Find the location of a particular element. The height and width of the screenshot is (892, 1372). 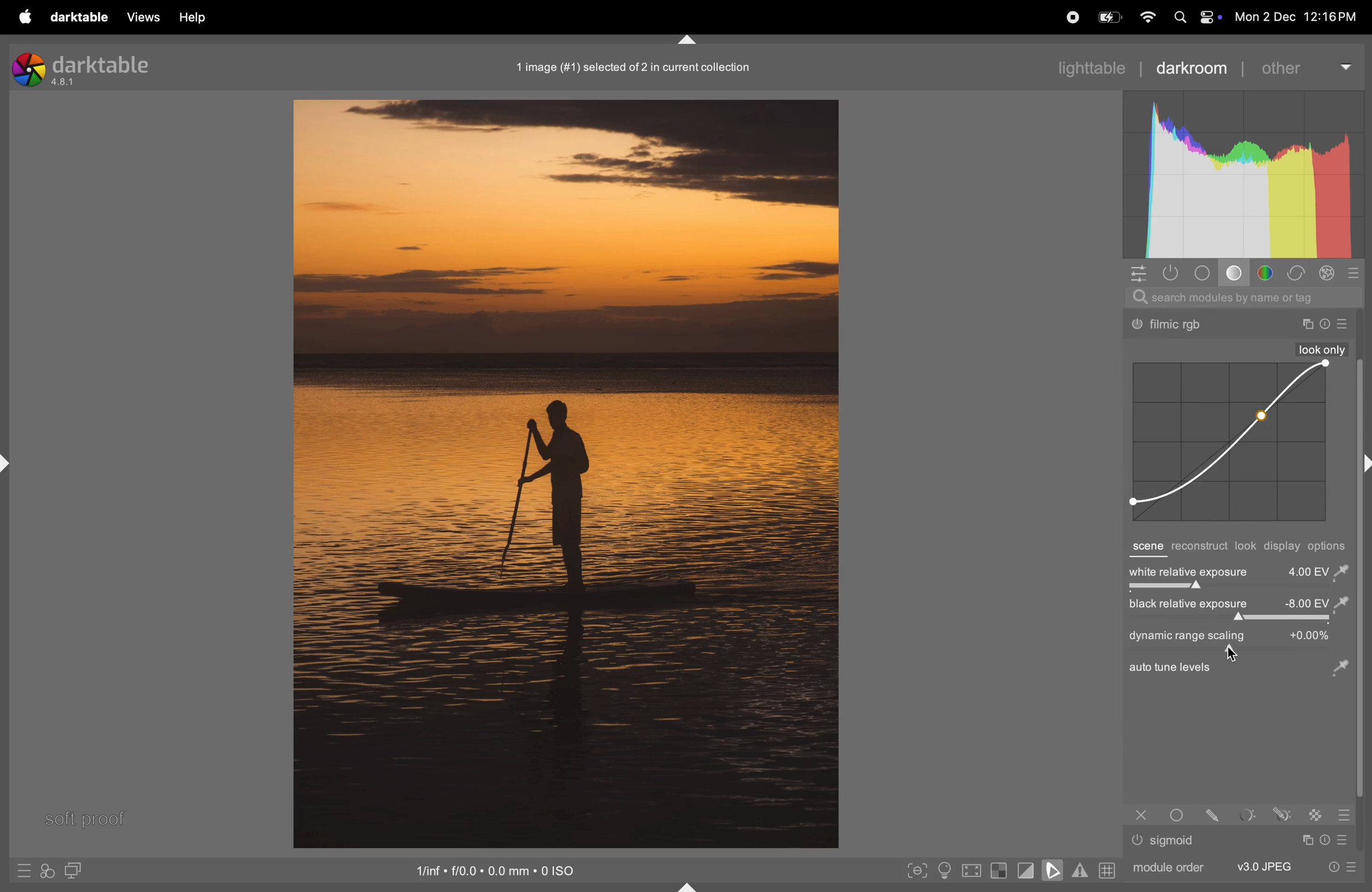

base is located at coordinates (1237, 275).